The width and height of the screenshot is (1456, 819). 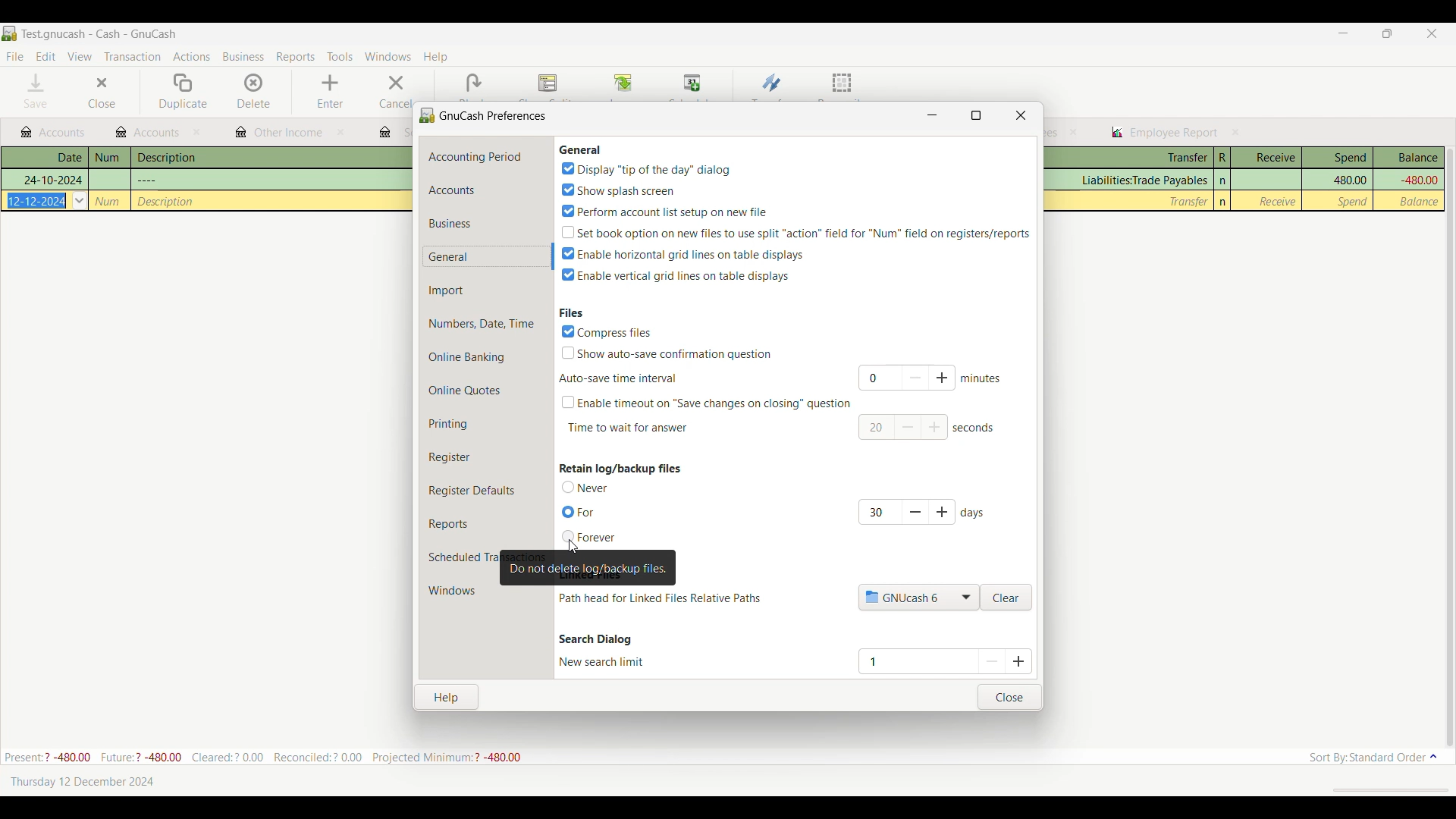 What do you see at coordinates (279, 133) in the screenshot?
I see `Other budgets and reports` at bounding box center [279, 133].